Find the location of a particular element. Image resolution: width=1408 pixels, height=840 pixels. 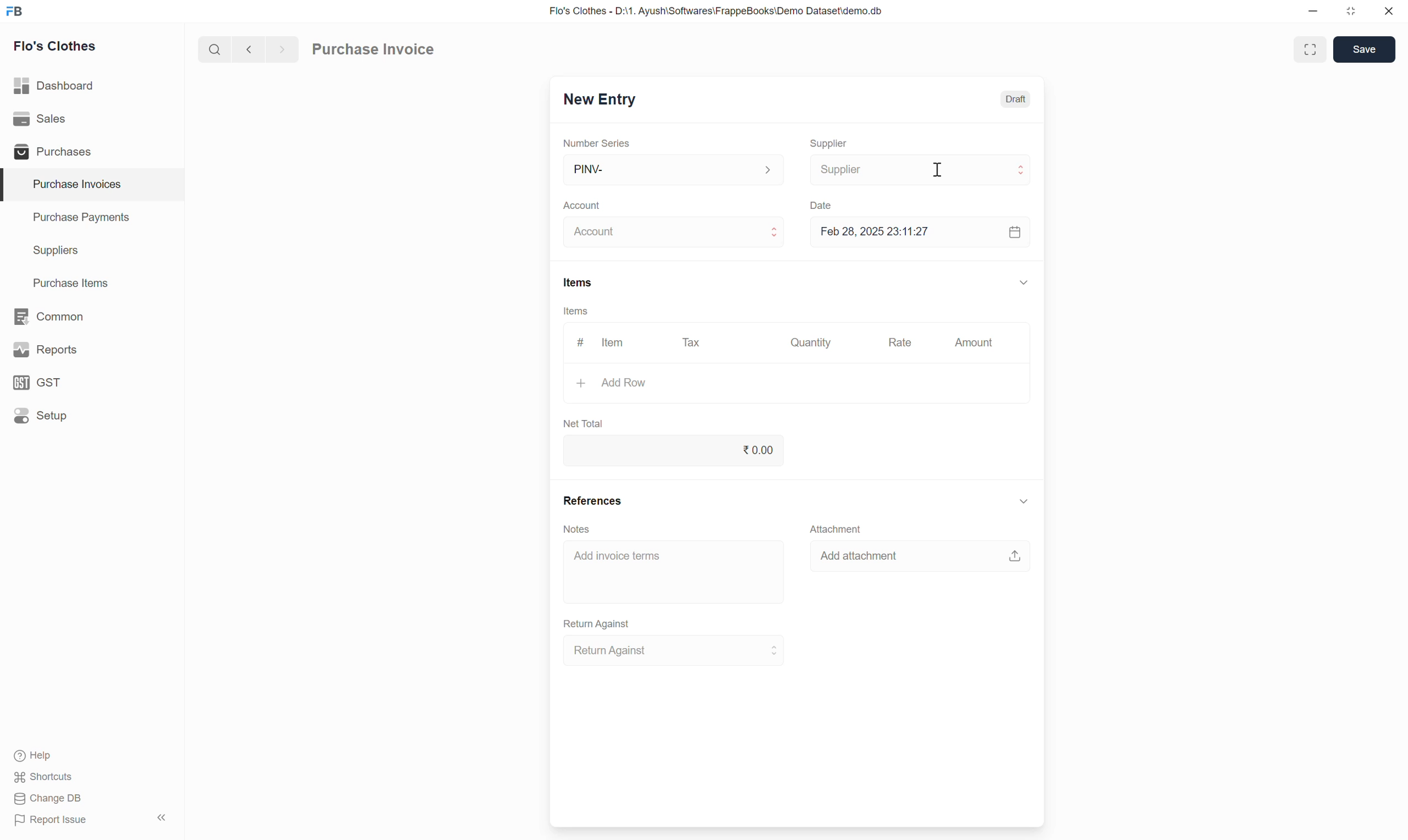

Date is located at coordinates (821, 205).